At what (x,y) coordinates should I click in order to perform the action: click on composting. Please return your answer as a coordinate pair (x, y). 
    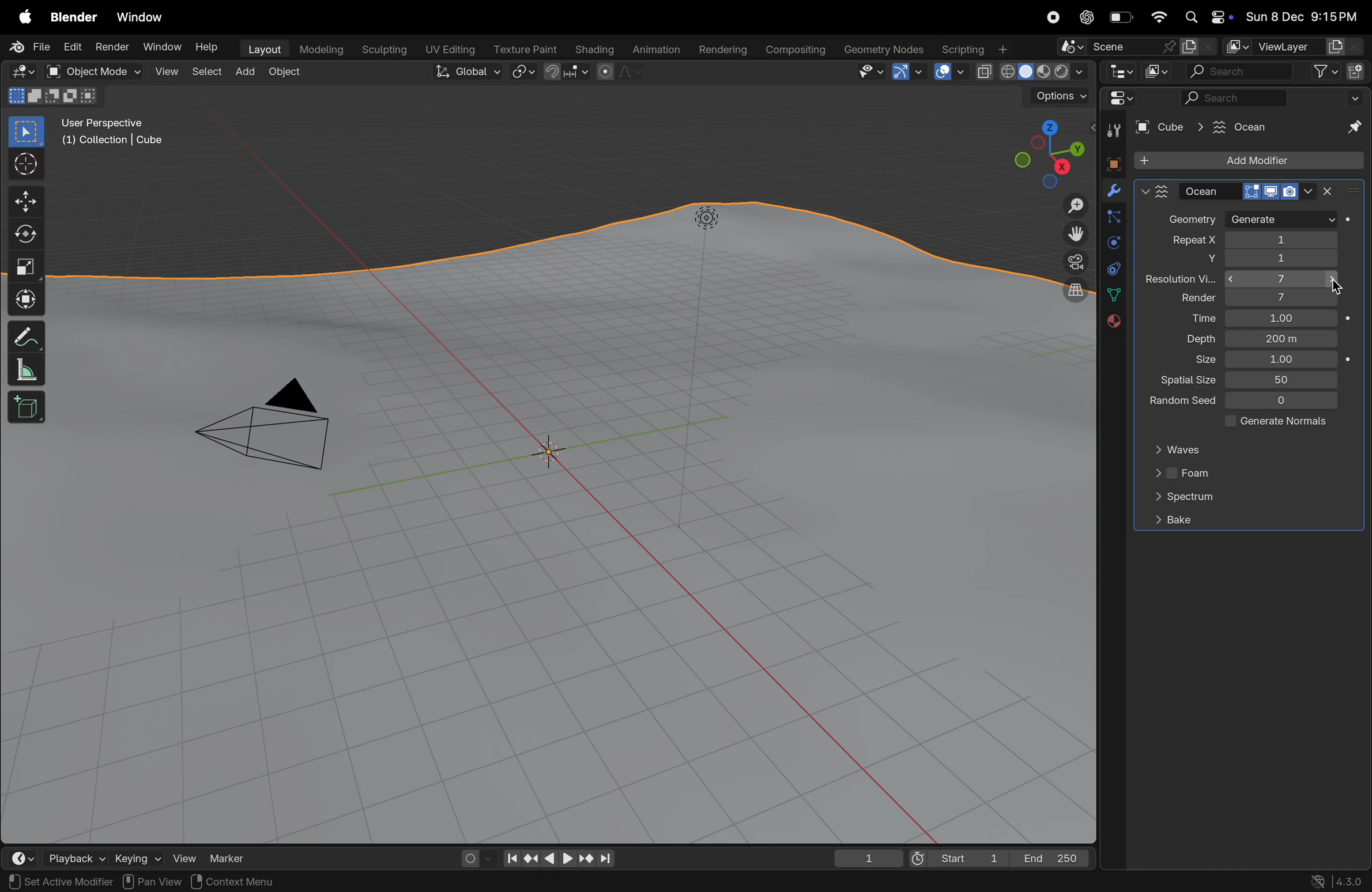
    Looking at the image, I should click on (797, 50).